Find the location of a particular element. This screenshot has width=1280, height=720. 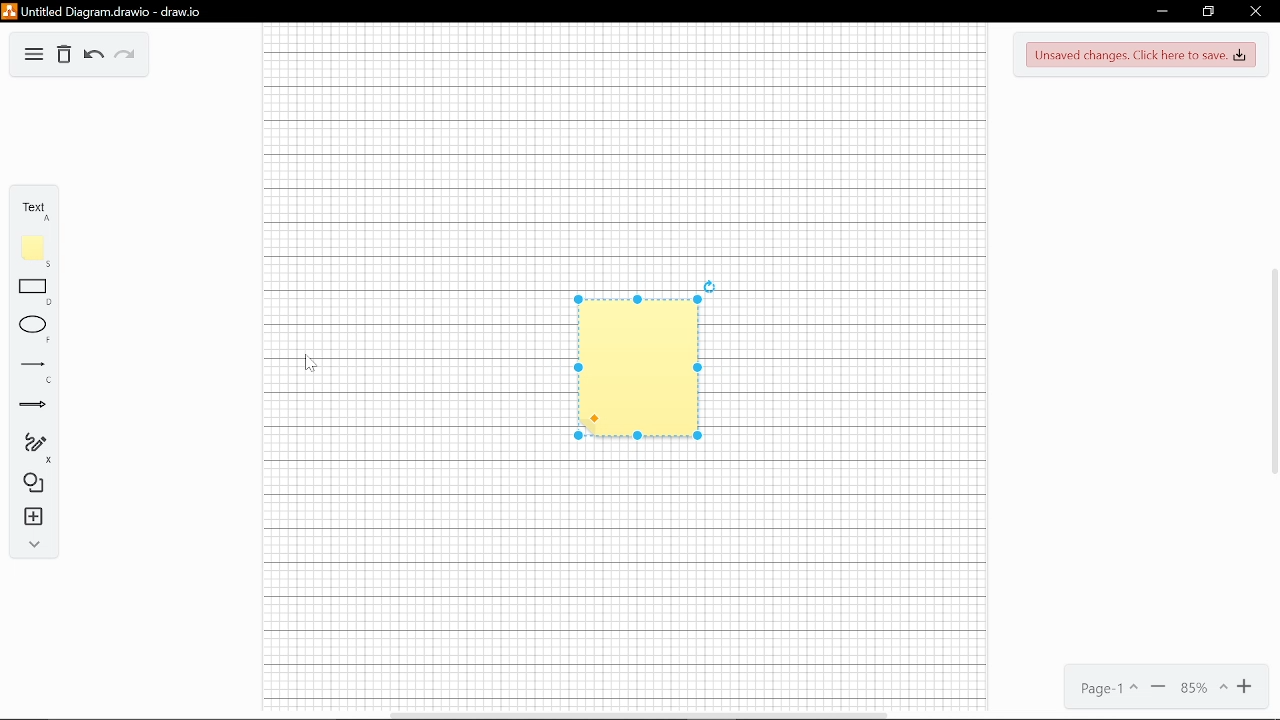

Zoom in is located at coordinates (1249, 687).